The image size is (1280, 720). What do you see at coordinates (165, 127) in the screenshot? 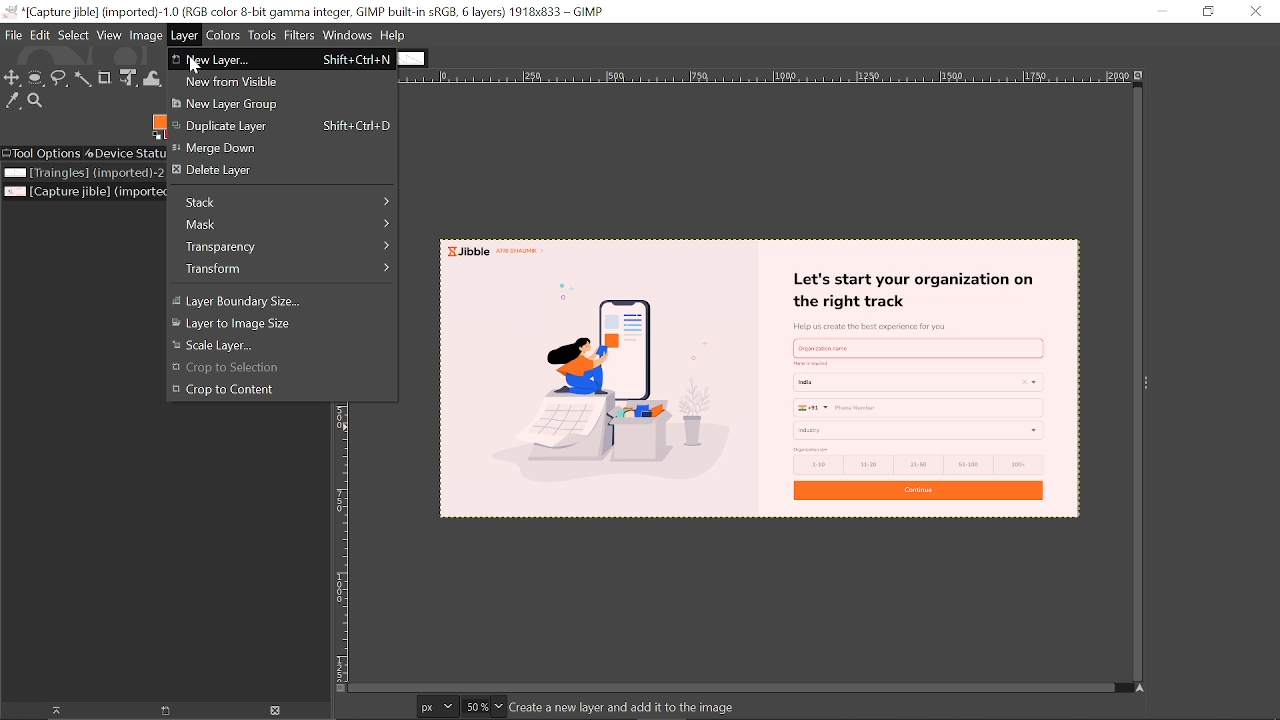
I see `Foreground color` at bounding box center [165, 127].